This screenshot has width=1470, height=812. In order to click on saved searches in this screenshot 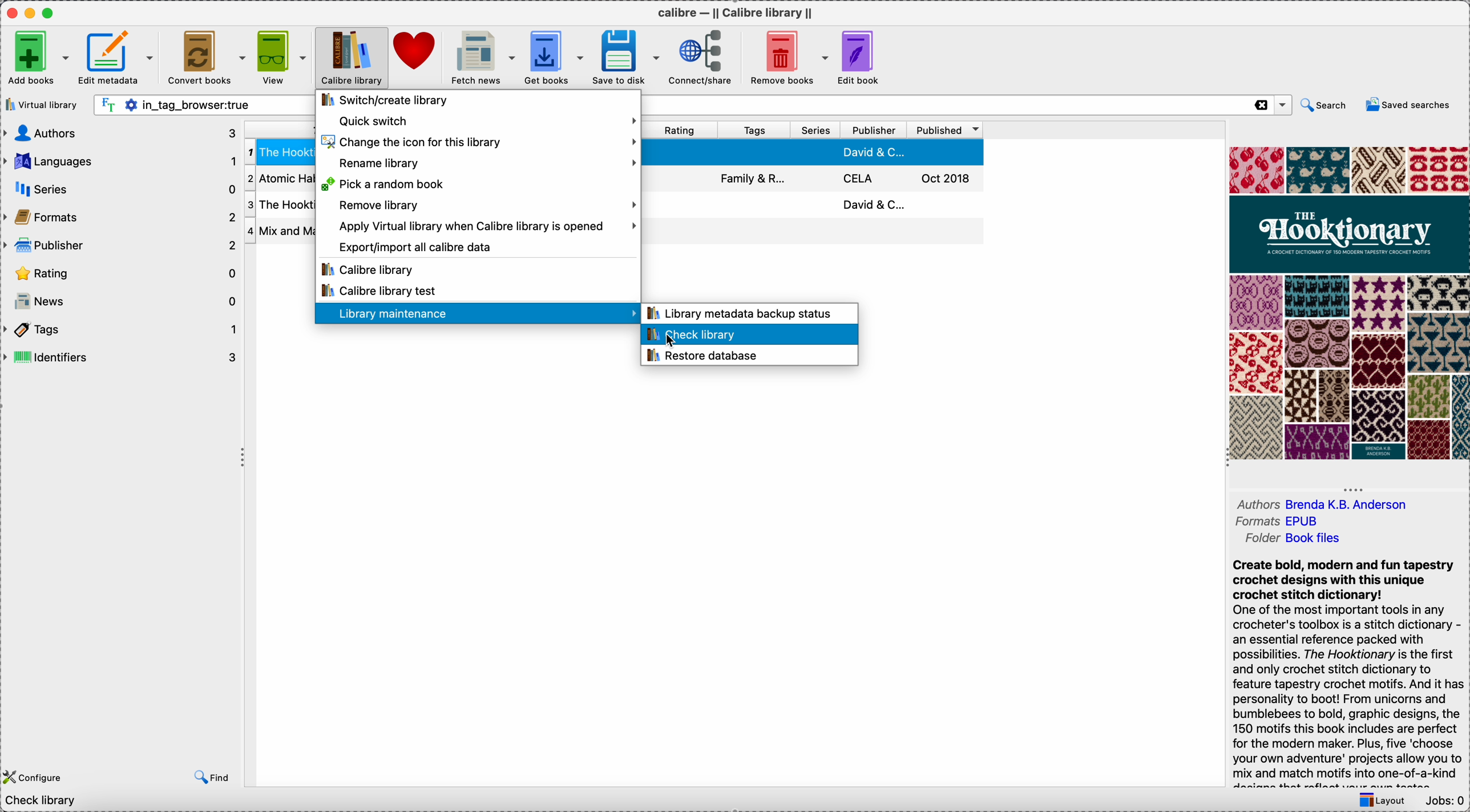, I will do `click(1408, 106)`.